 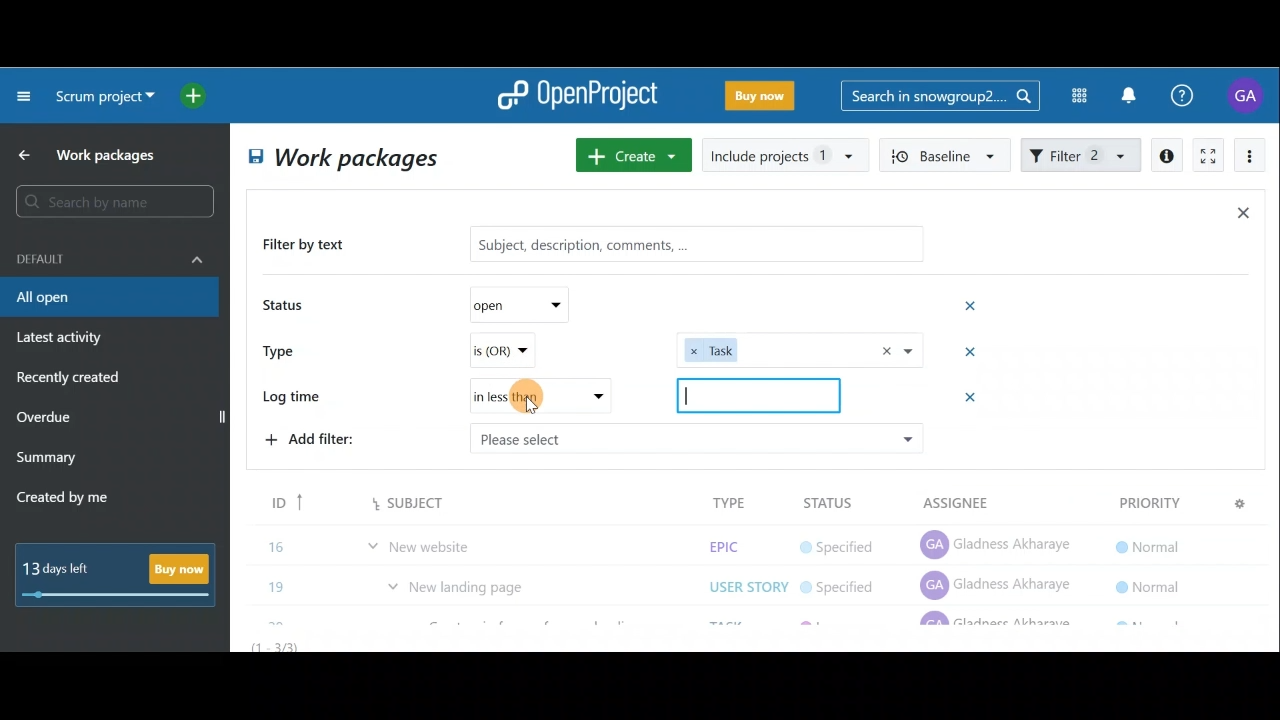 I want to click on (GA) Gladness Akharaye, so click(x=999, y=500).